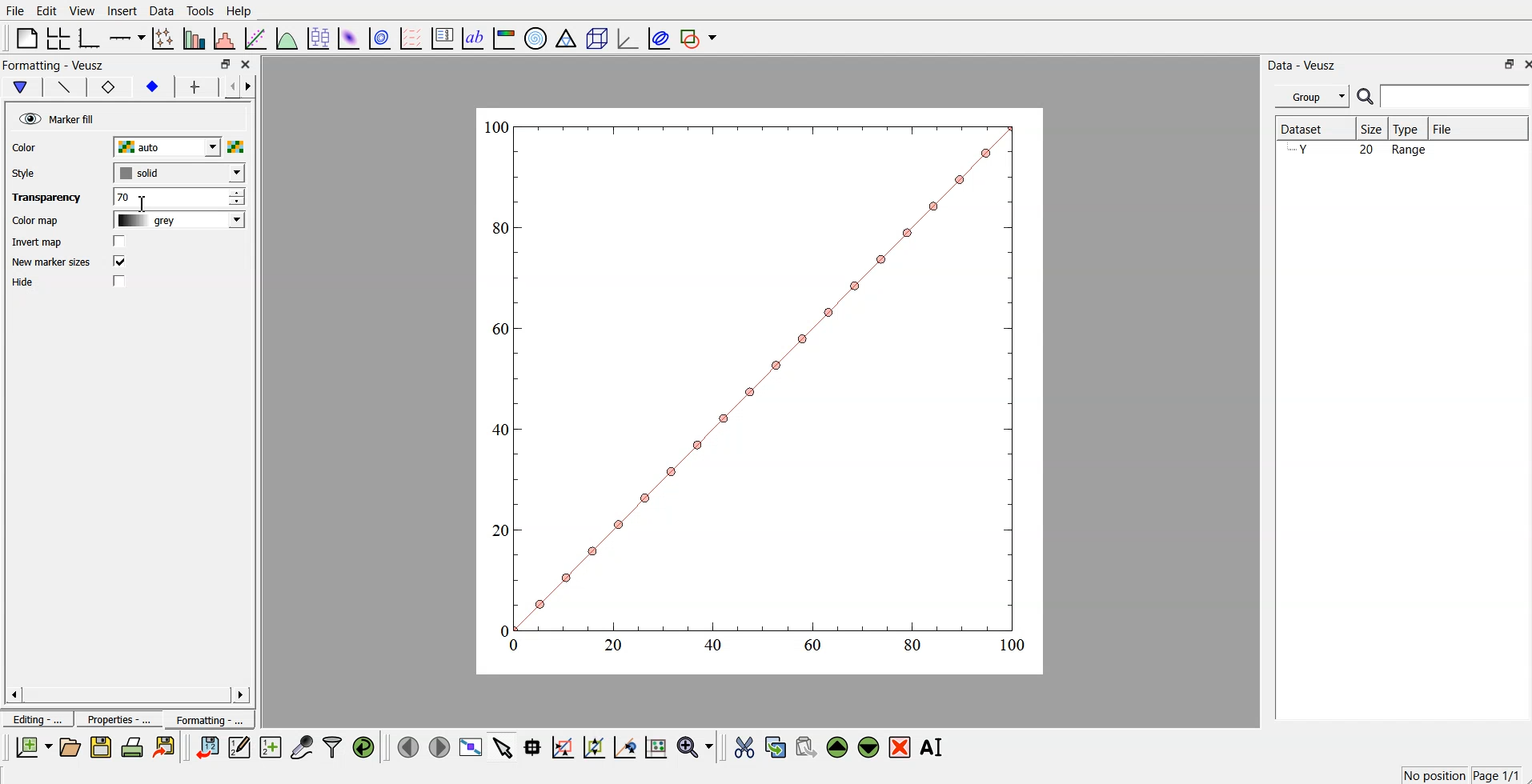  What do you see at coordinates (839, 746) in the screenshot?
I see `move up` at bounding box center [839, 746].